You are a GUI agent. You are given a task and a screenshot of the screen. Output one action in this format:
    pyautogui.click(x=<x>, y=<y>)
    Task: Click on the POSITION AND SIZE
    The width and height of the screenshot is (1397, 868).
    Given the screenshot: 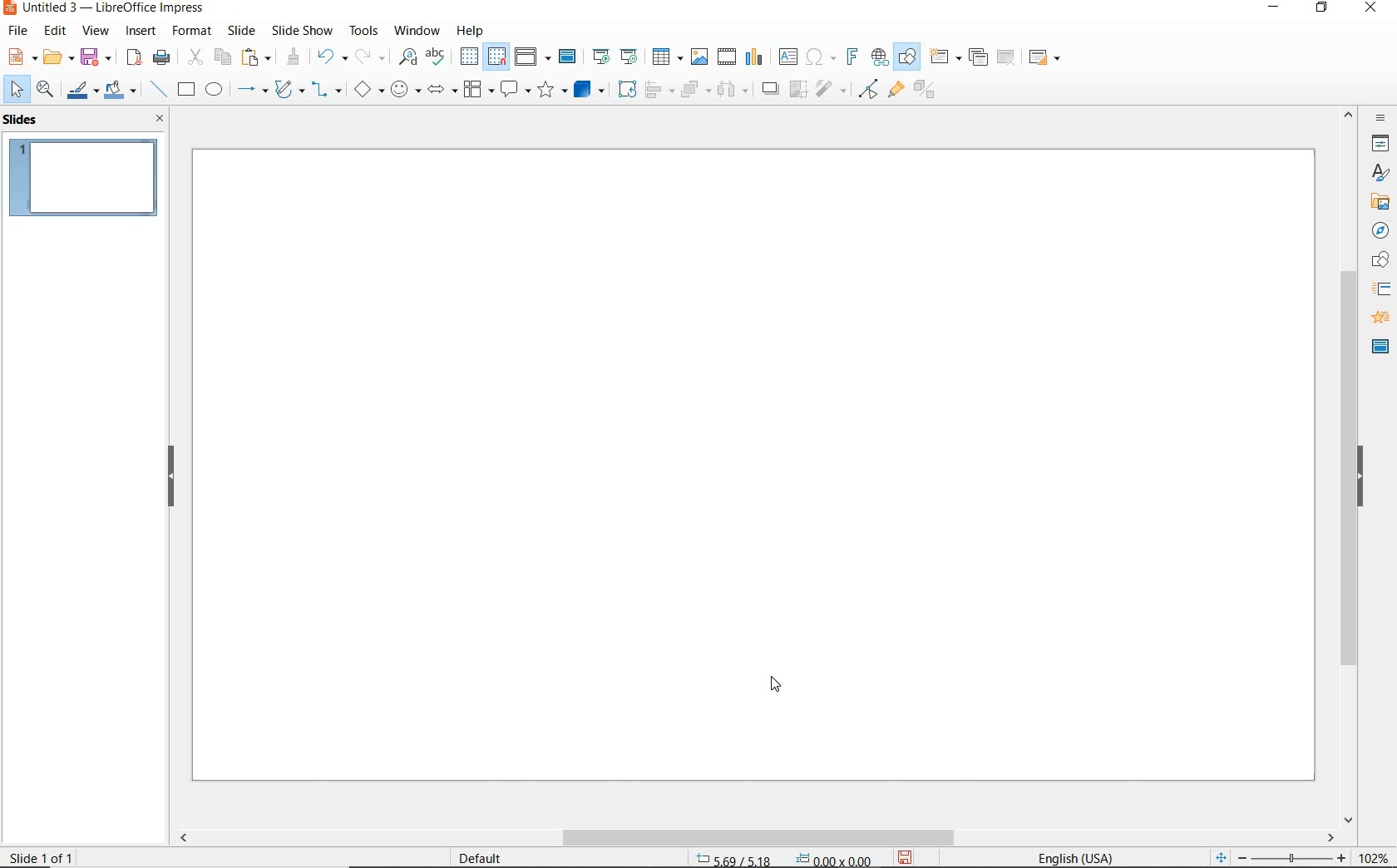 What is the action you would take?
    pyautogui.click(x=781, y=857)
    